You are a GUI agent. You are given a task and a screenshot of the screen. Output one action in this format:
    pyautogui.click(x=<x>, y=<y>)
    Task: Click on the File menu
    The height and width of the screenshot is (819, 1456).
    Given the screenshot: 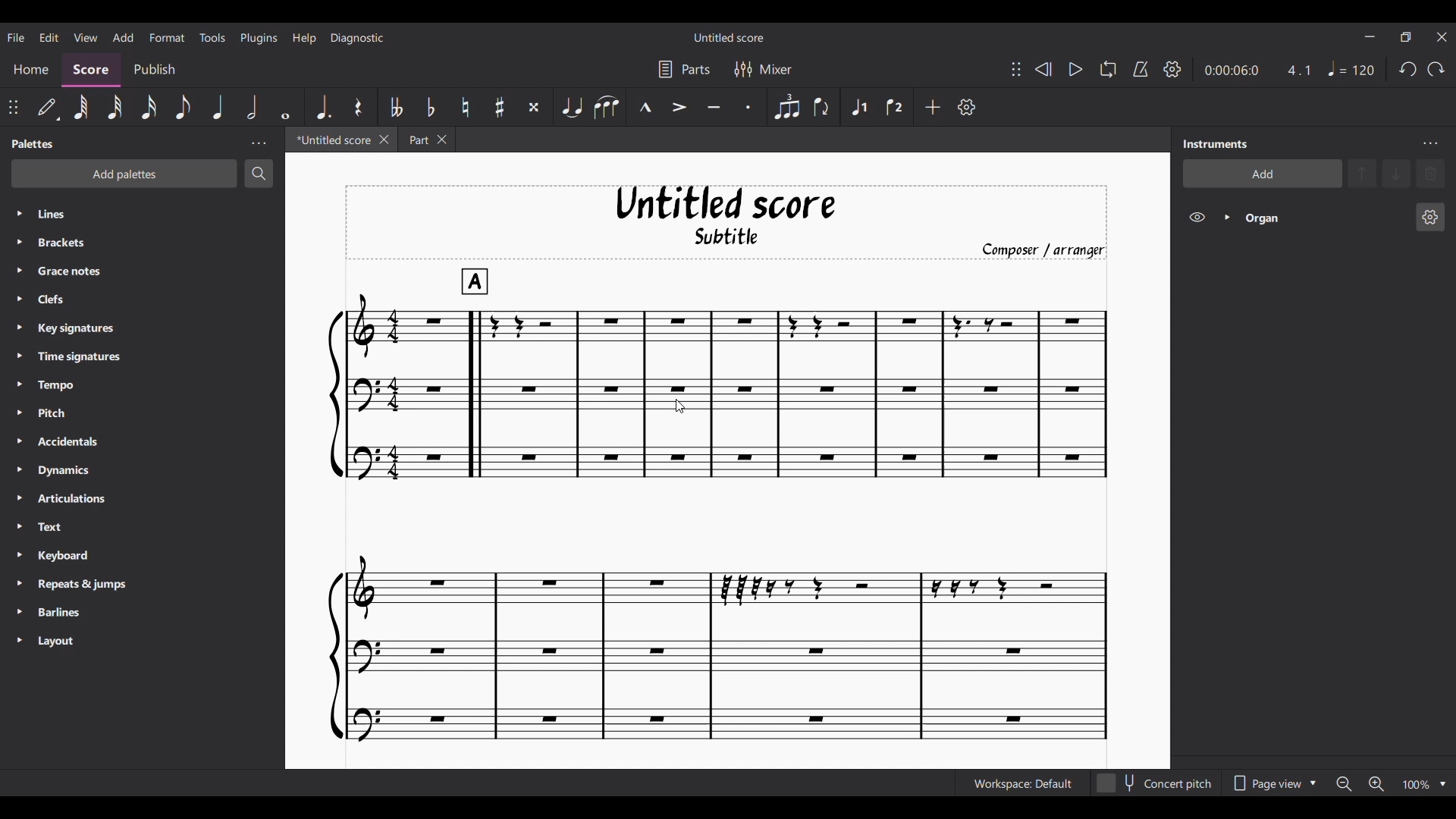 What is the action you would take?
    pyautogui.click(x=16, y=36)
    